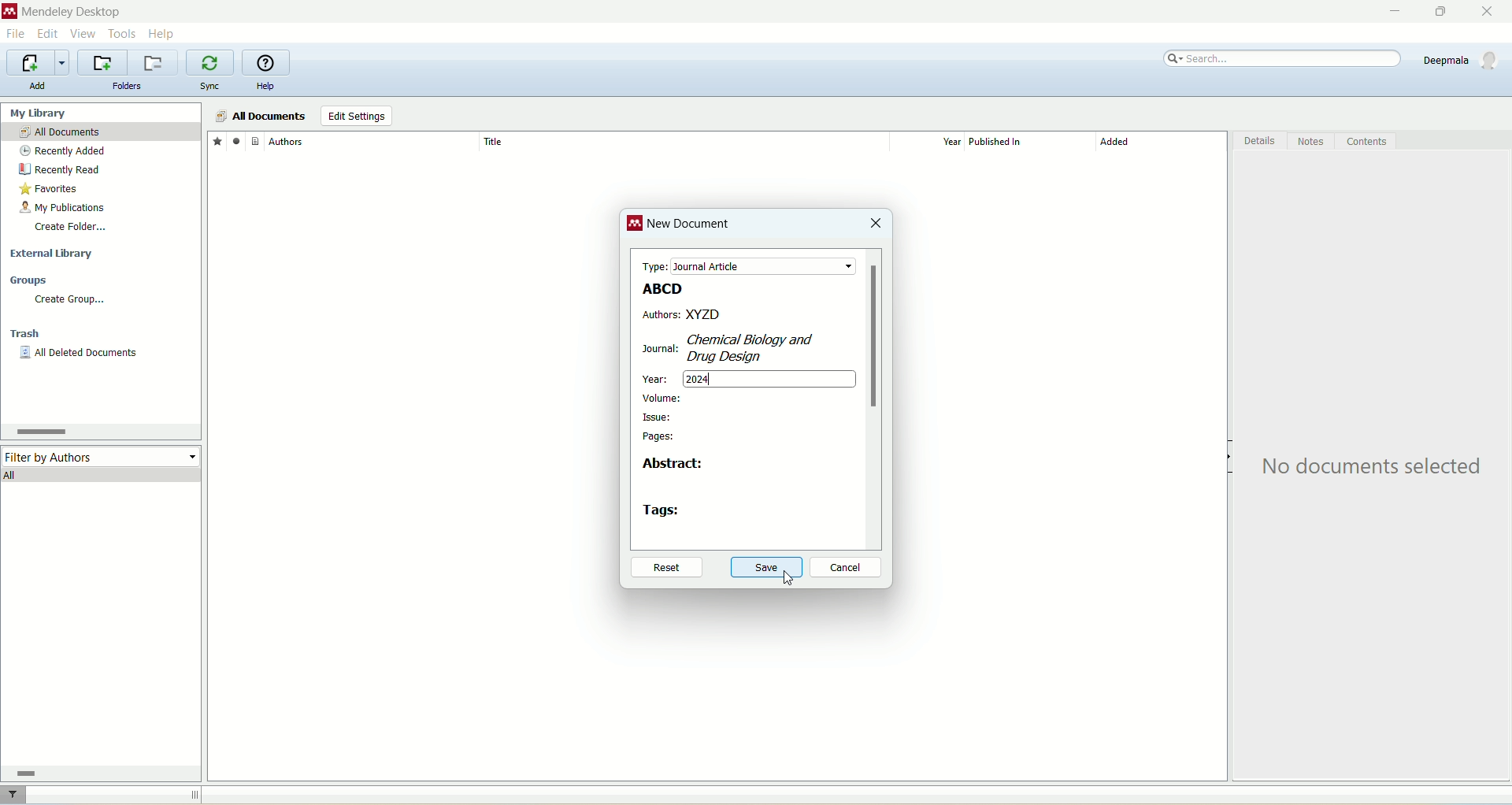 Image resolution: width=1512 pixels, height=805 pixels. I want to click on add, so click(37, 86).